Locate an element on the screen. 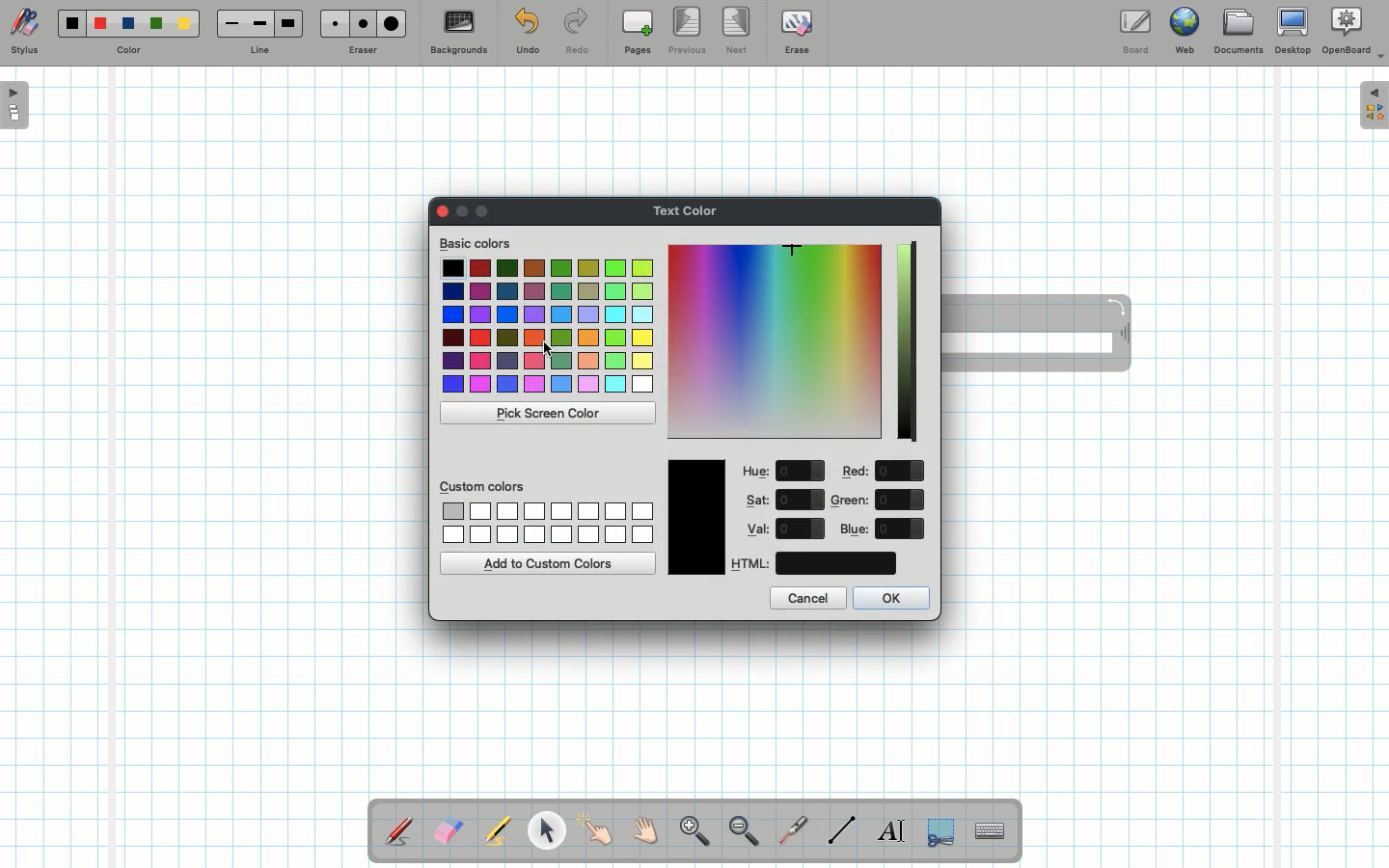 The height and width of the screenshot is (868, 1389). Pick screen color is located at coordinates (549, 414).